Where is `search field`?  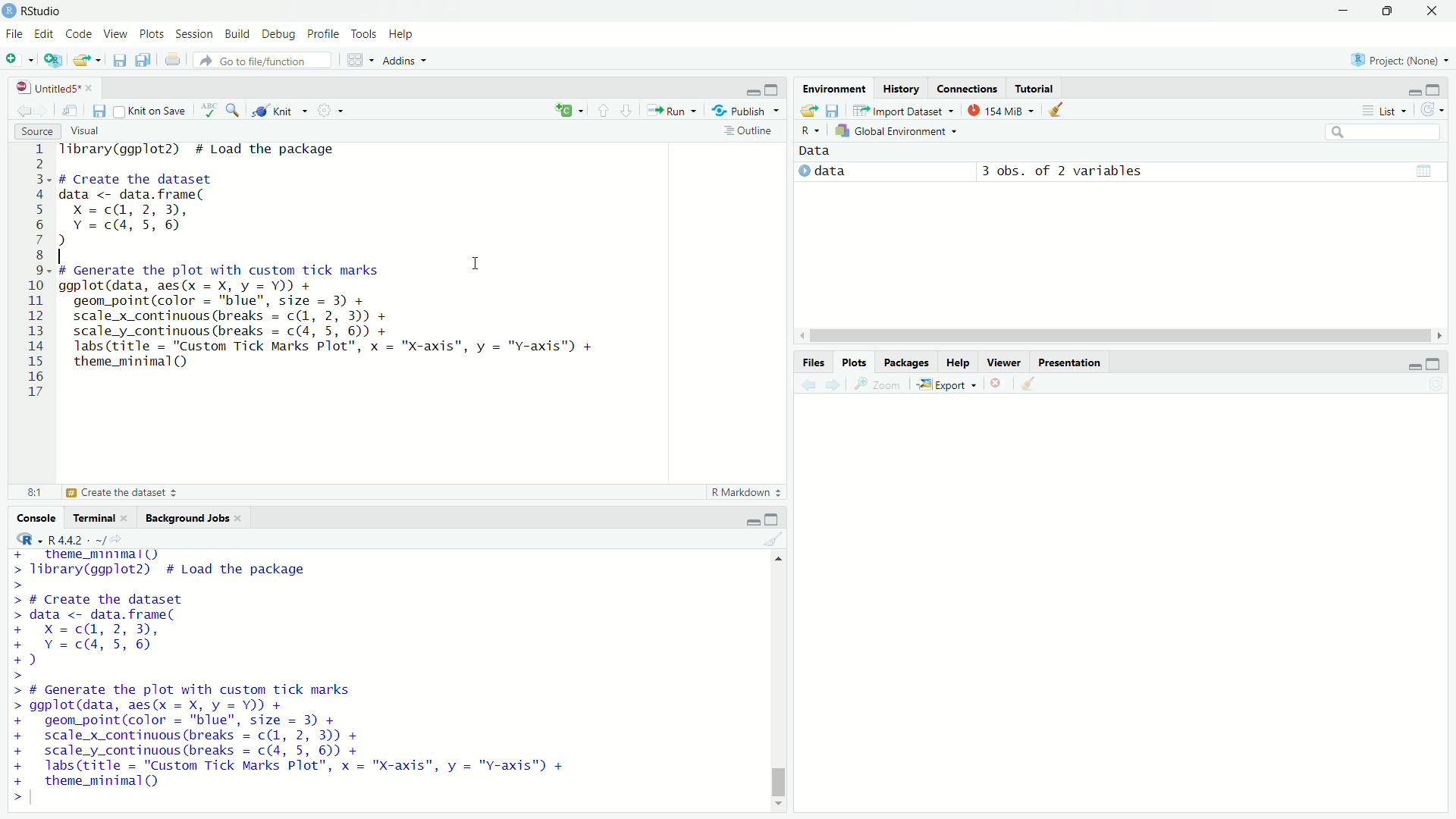 search field is located at coordinates (1386, 134).